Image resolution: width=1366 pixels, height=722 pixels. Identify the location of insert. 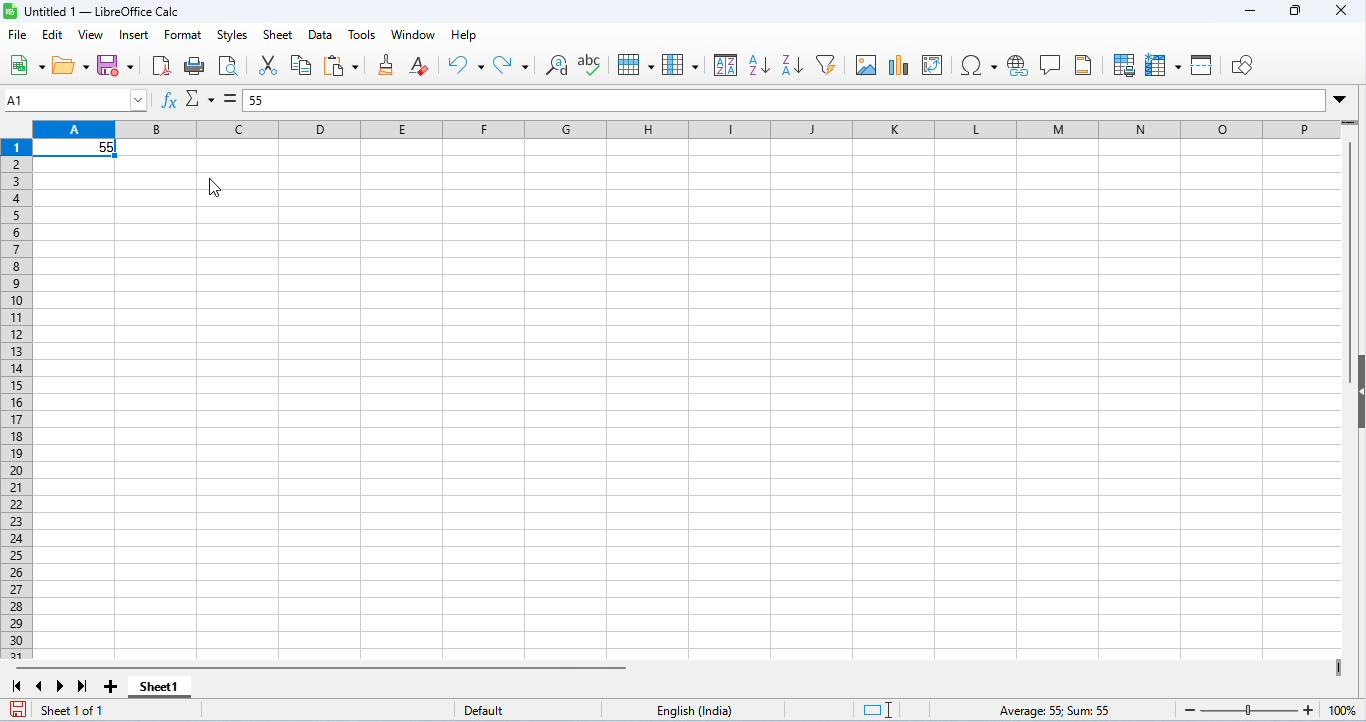
(132, 36).